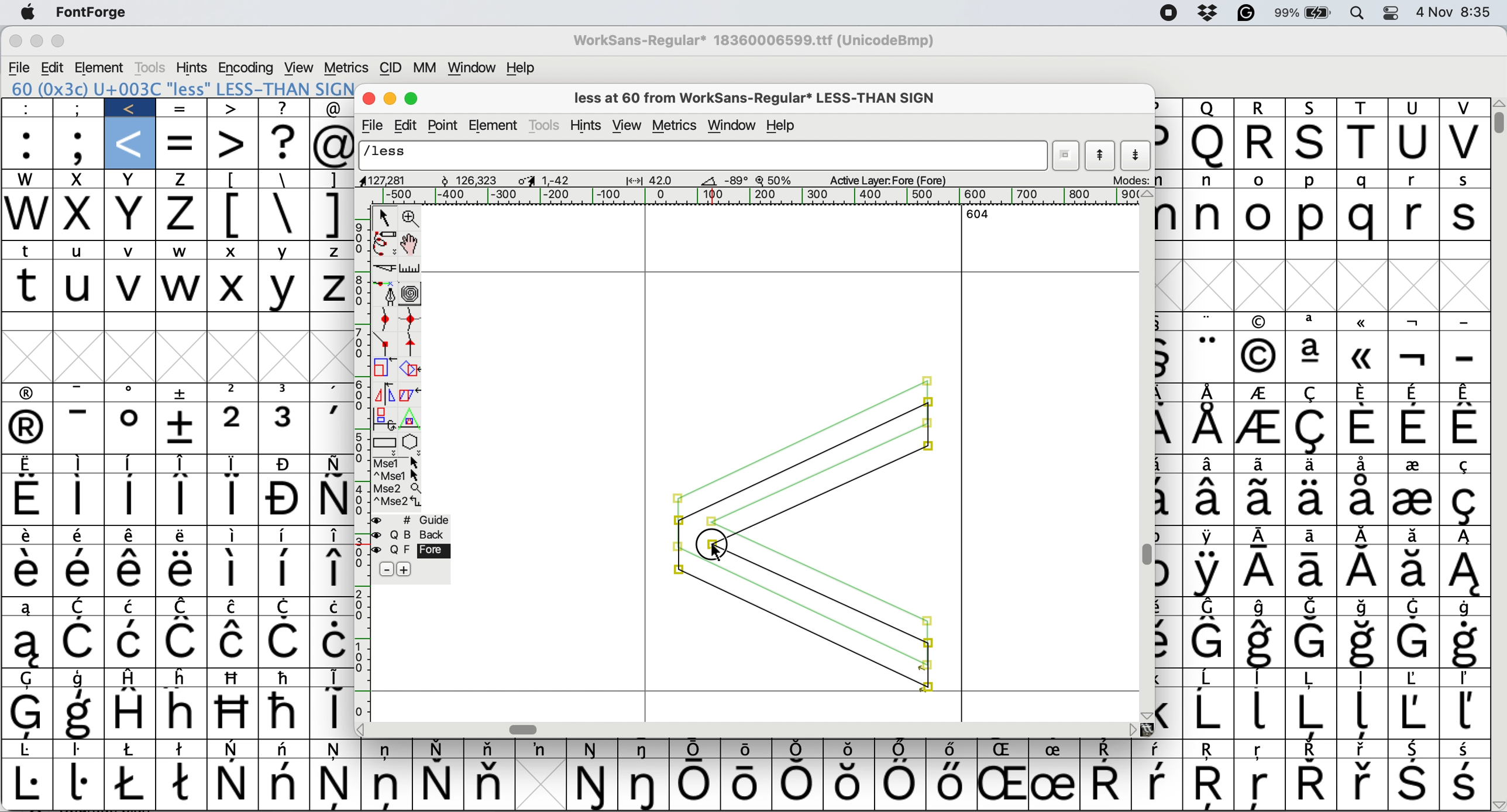 This screenshot has height=812, width=1507. Describe the element at coordinates (756, 40) in the screenshot. I see `WorkSans-Regular* 18360006599.ttf (UnicodeBmp)` at that location.